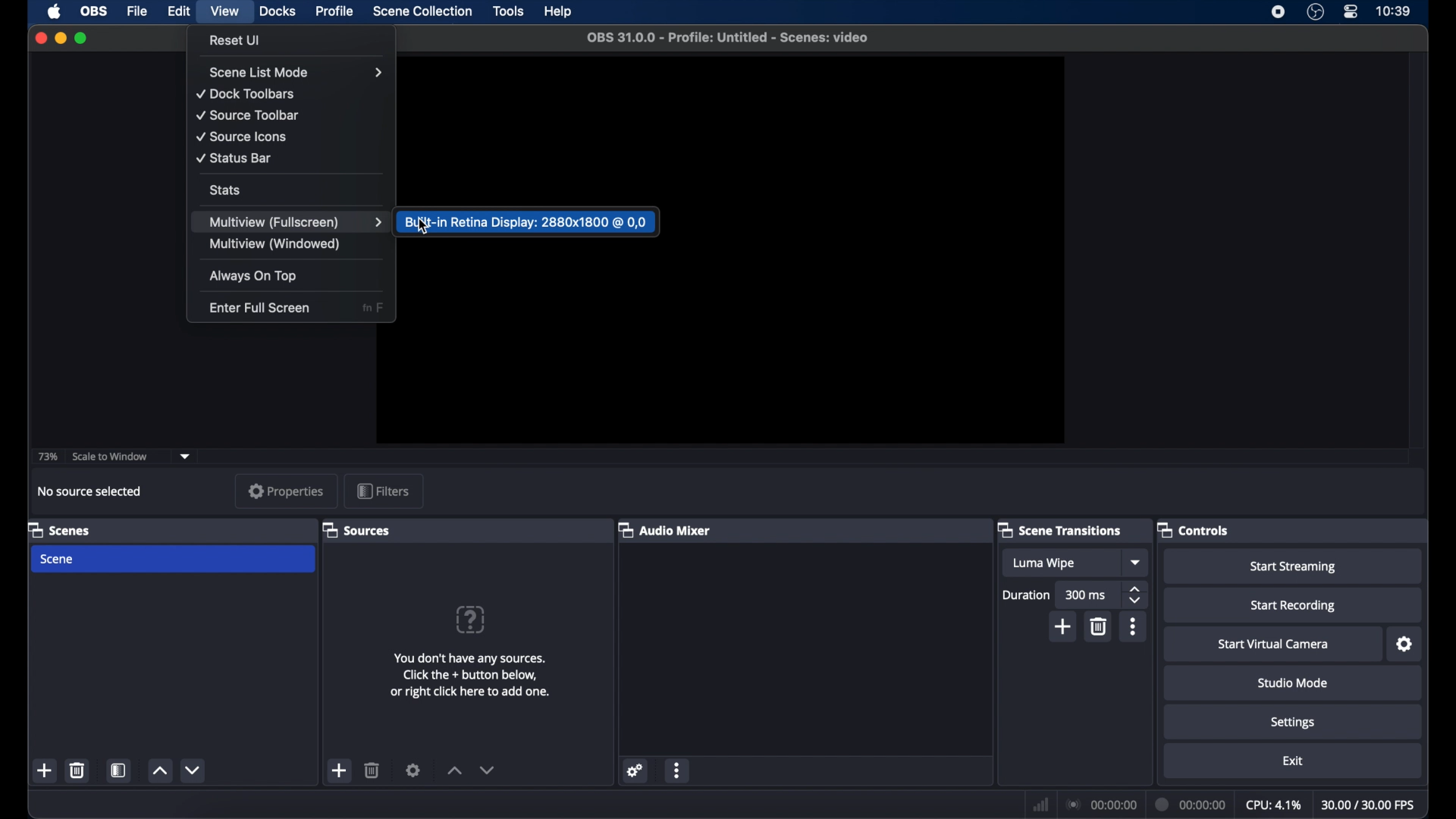 The width and height of the screenshot is (1456, 819). I want to click on add, so click(1062, 626).